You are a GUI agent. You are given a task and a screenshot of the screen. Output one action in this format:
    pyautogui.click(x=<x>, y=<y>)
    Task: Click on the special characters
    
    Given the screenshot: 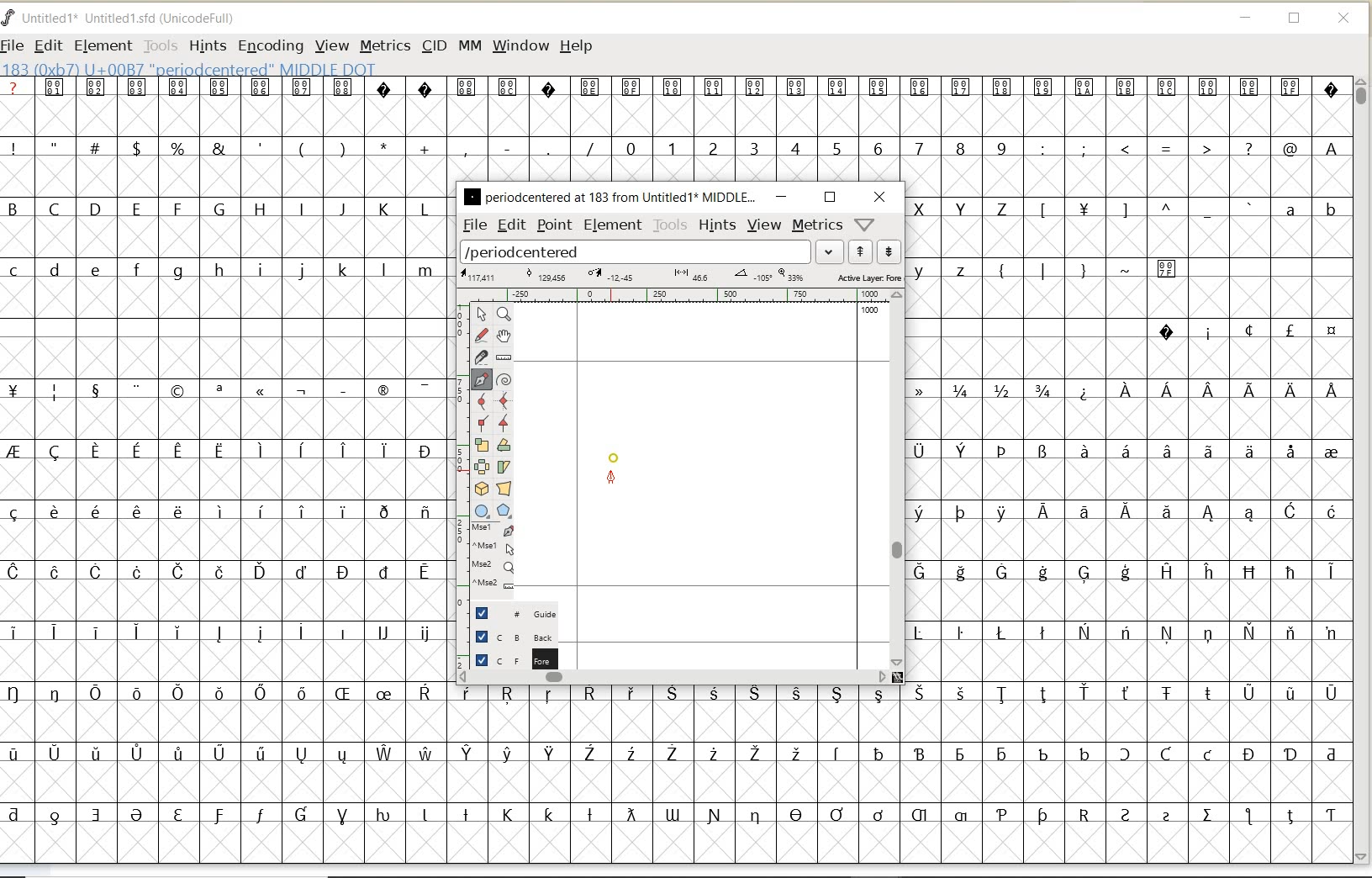 What is the action you would take?
    pyautogui.click(x=673, y=98)
    